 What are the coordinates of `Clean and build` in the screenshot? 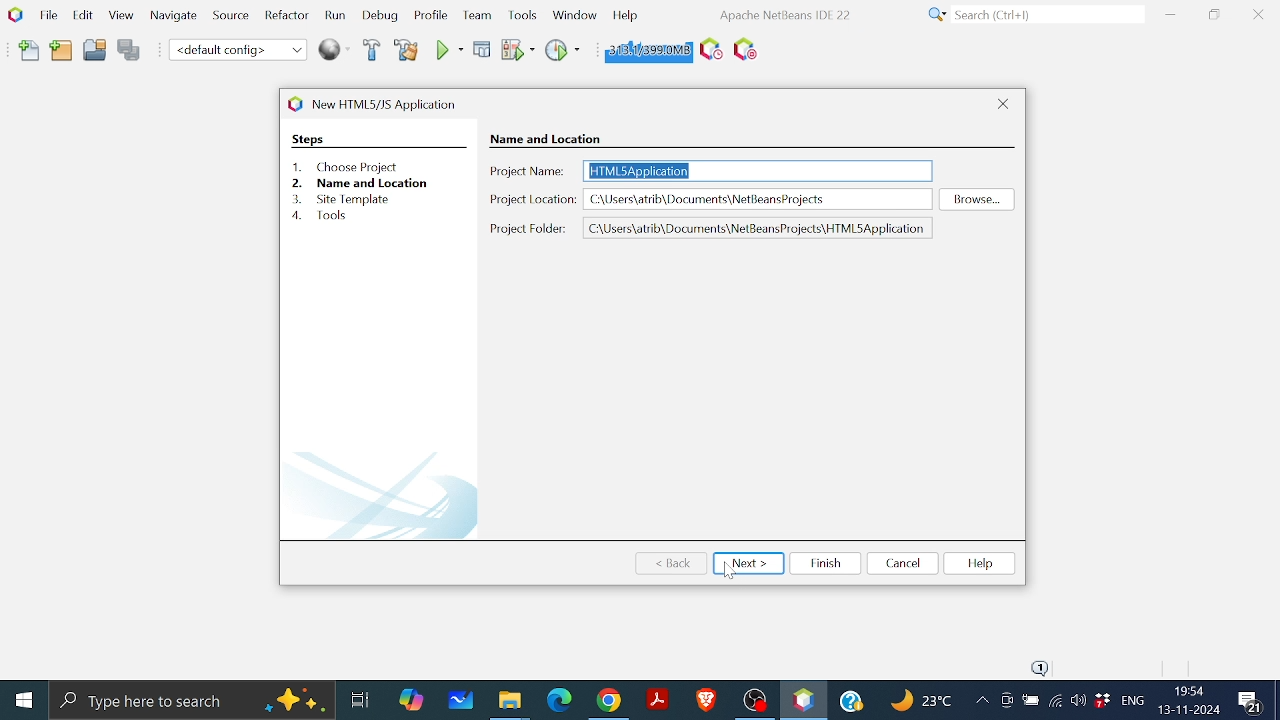 It's located at (406, 49).